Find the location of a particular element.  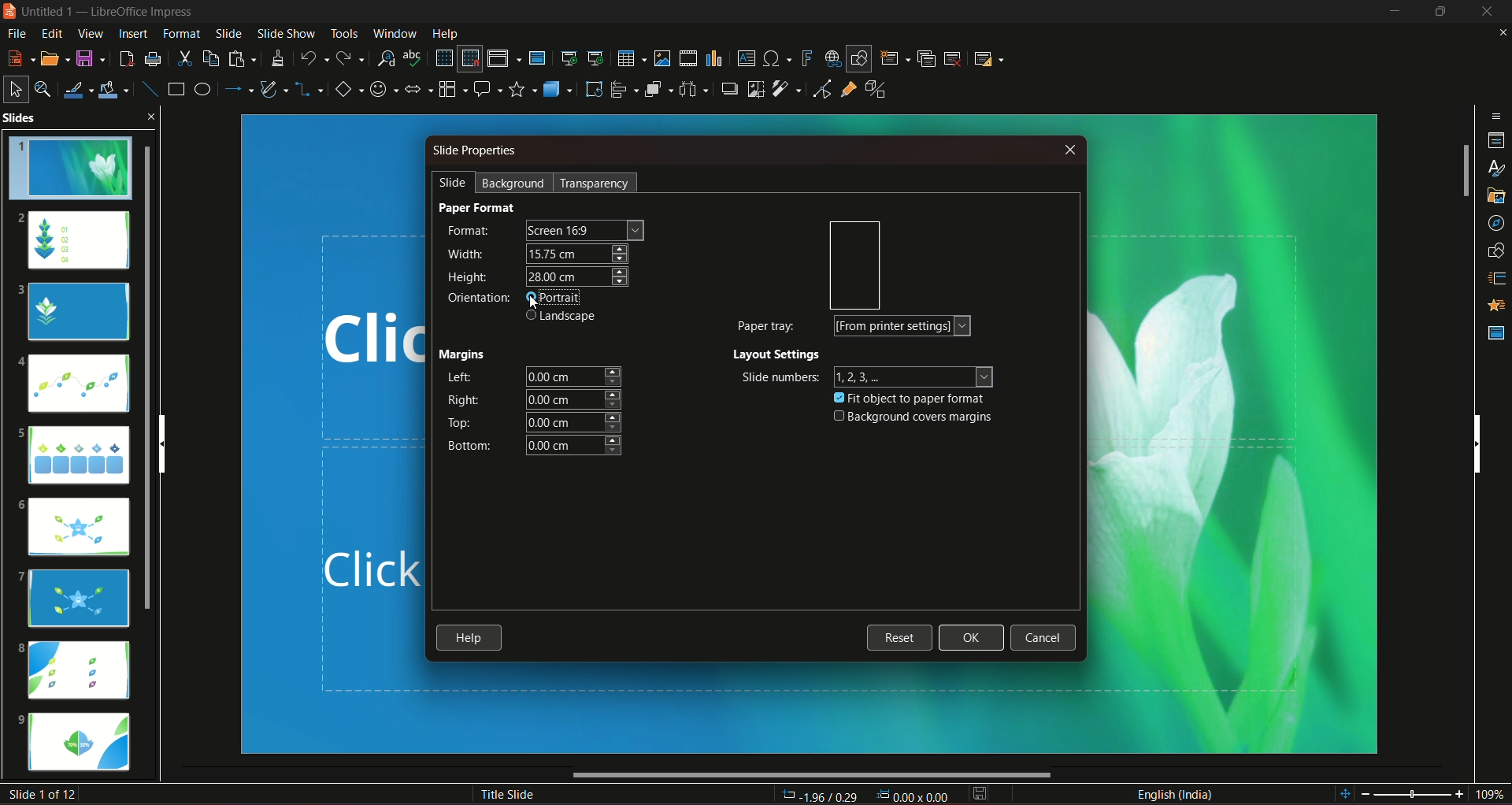

screen size is located at coordinates (584, 230).